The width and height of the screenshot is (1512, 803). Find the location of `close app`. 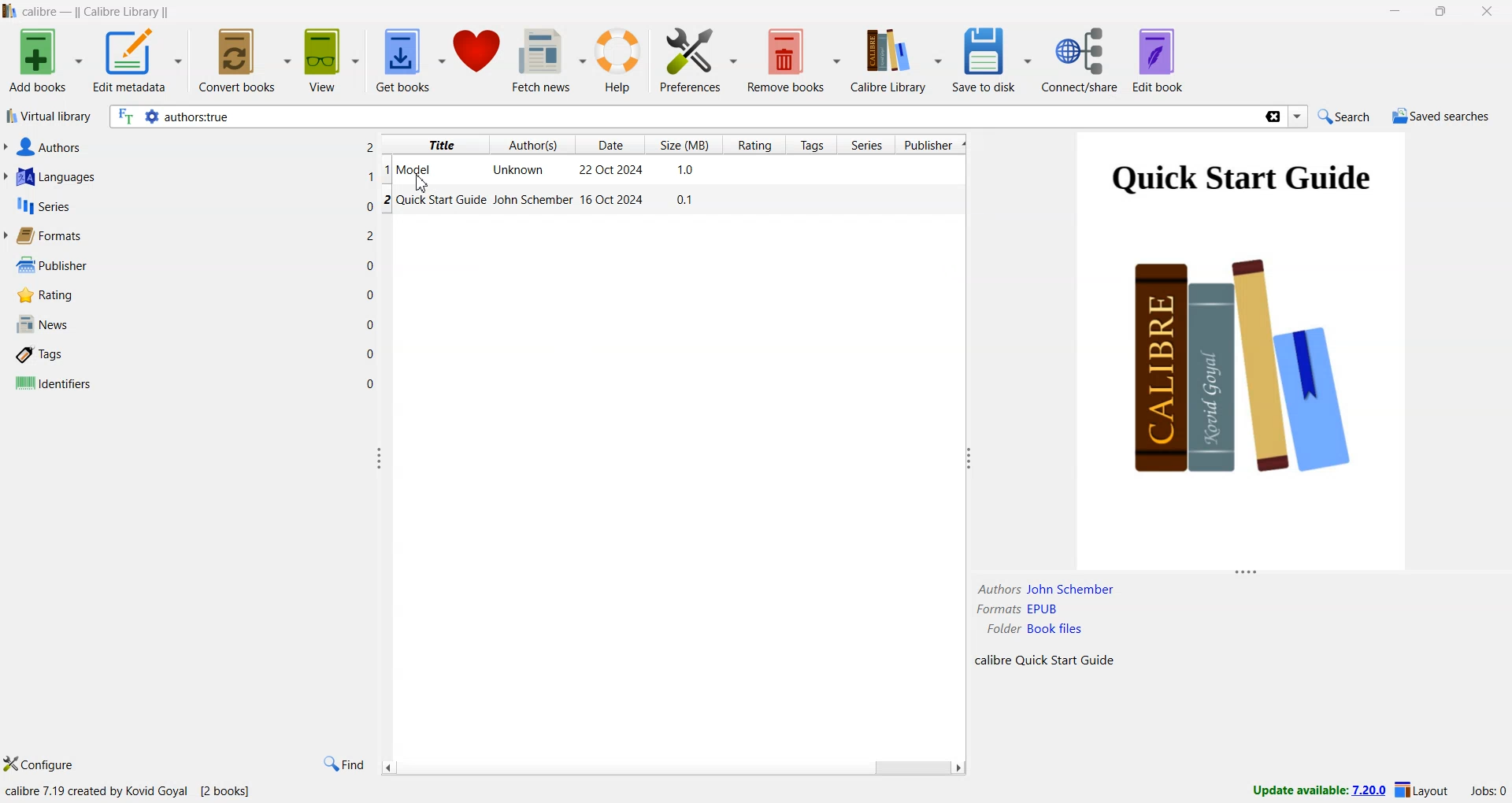

close app is located at coordinates (1489, 12).